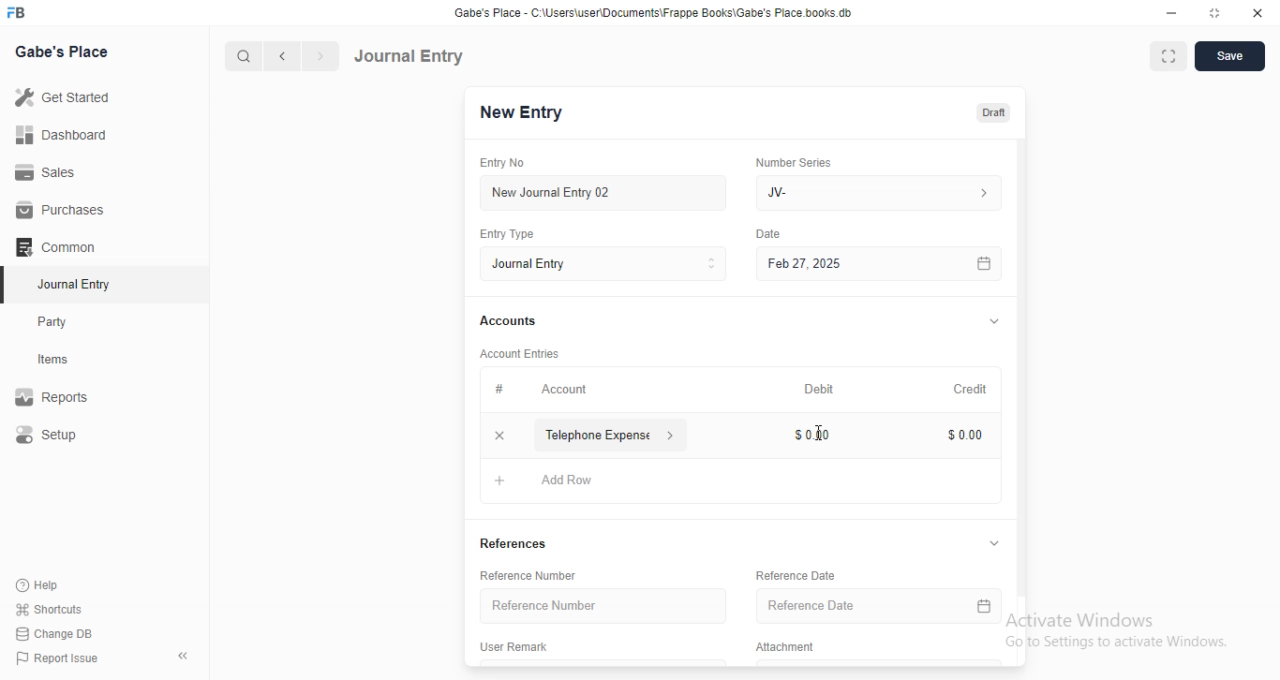  What do you see at coordinates (515, 645) in the screenshot?
I see `‘User Remark` at bounding box center [515, 645].